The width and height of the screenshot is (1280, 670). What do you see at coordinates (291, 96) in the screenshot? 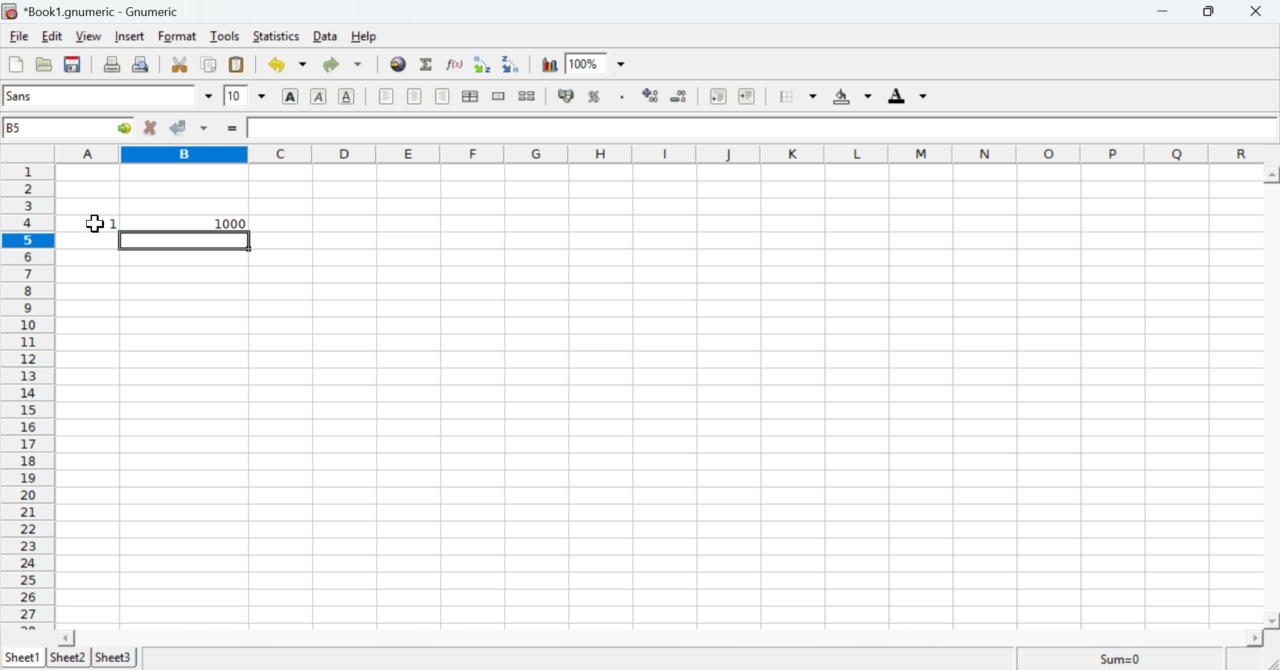
I see `Bold` at bounding box center [291, 96].